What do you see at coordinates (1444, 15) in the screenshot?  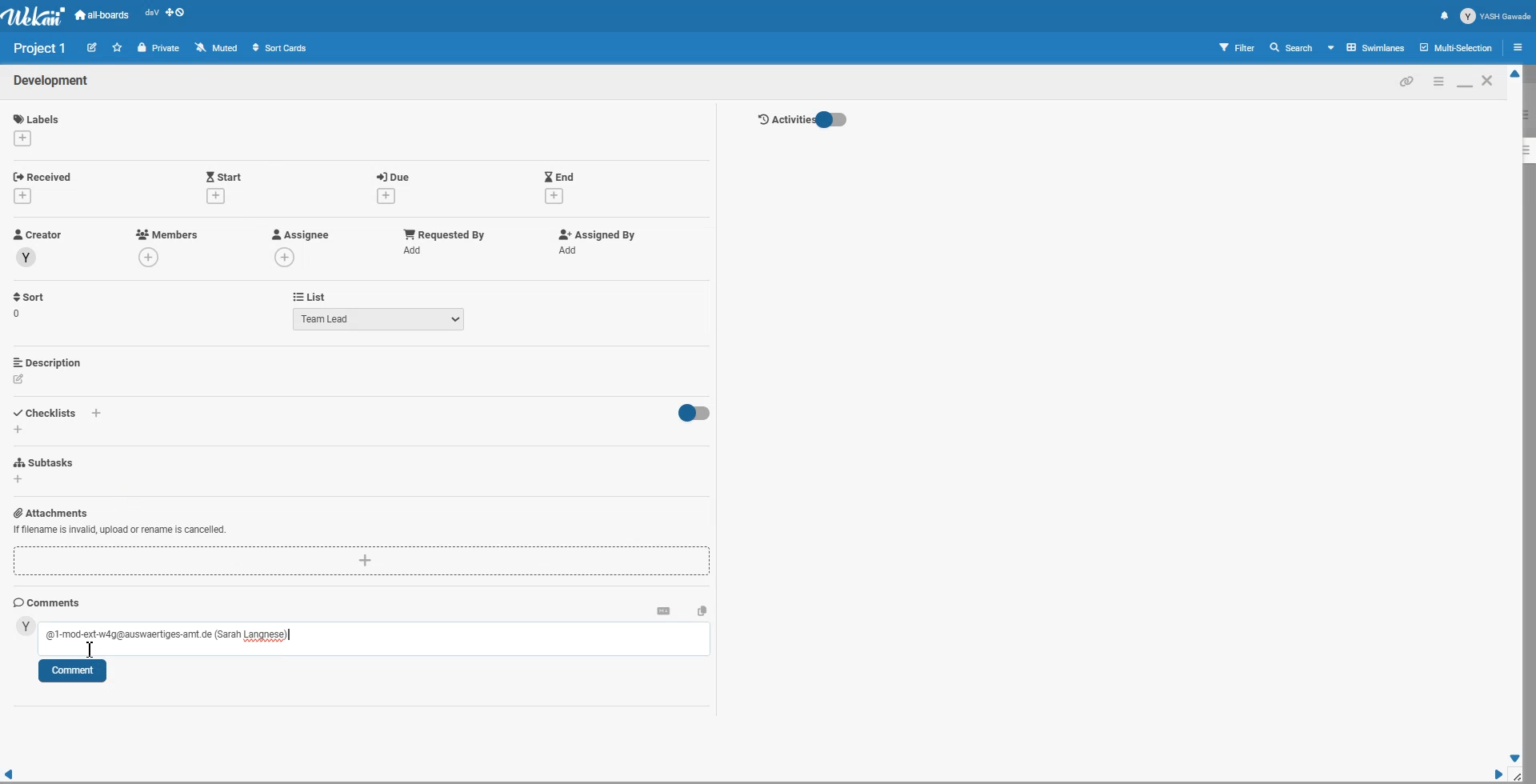 I see `Notification` at bounding box center [1444, 15].